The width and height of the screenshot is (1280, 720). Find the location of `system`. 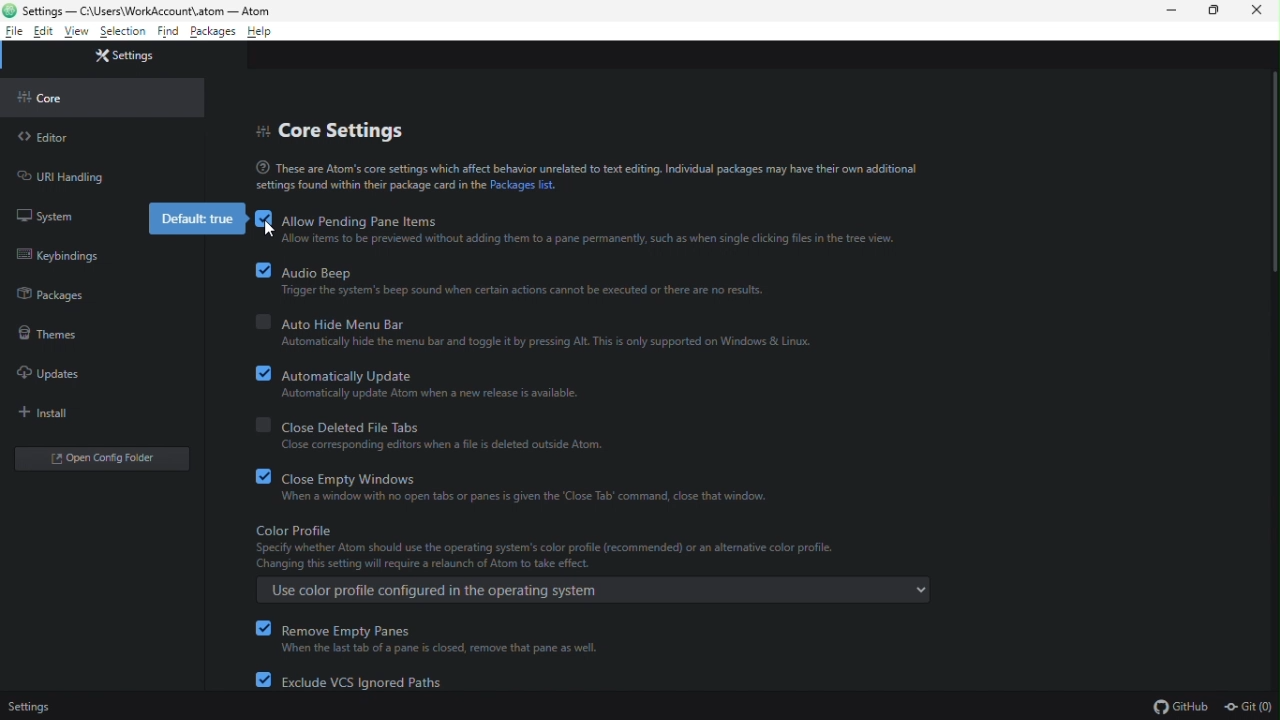

system is located at coordinates (48, 213).